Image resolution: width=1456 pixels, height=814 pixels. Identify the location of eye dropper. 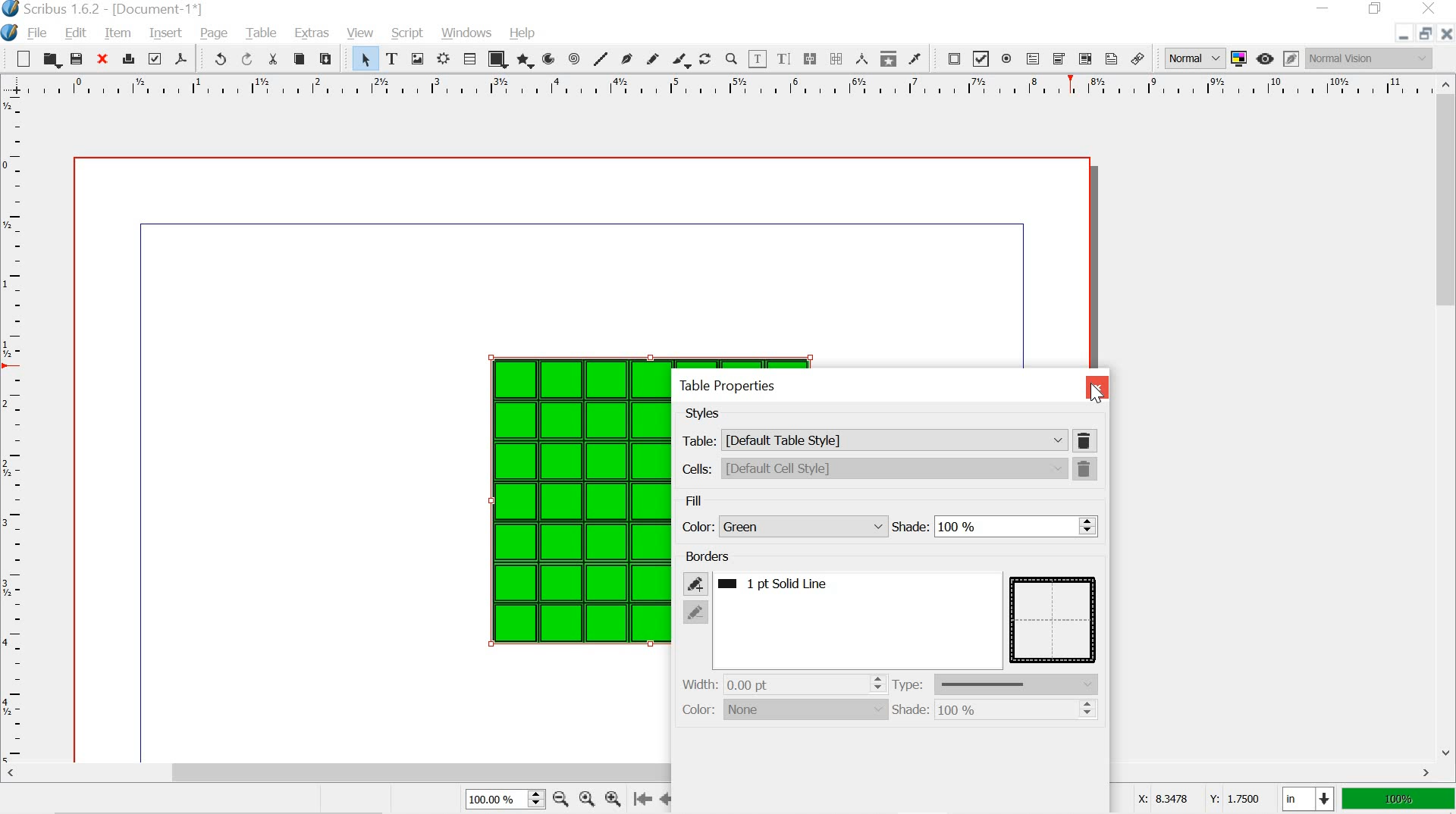
(915, 58).